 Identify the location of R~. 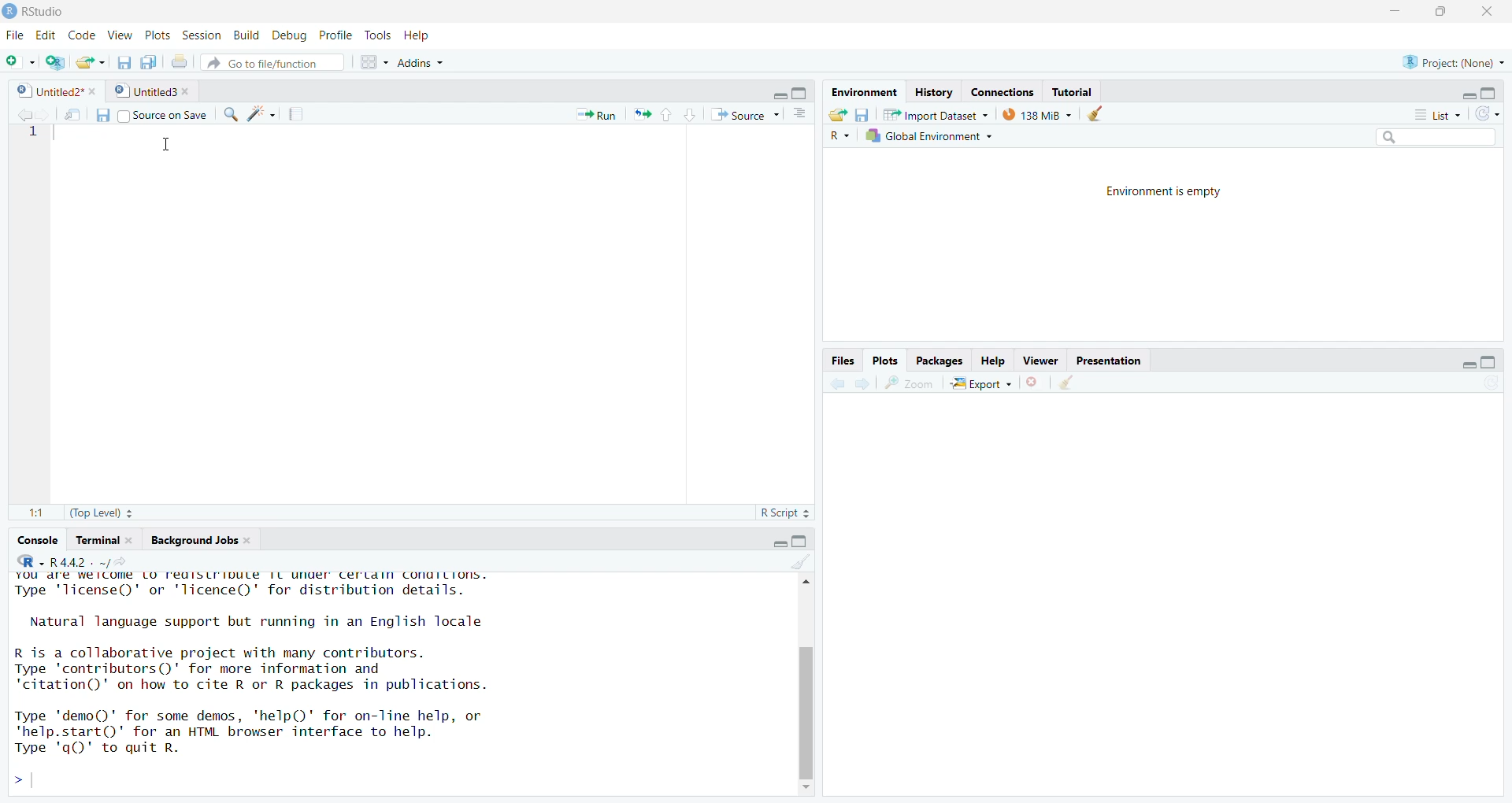
(839, 136).